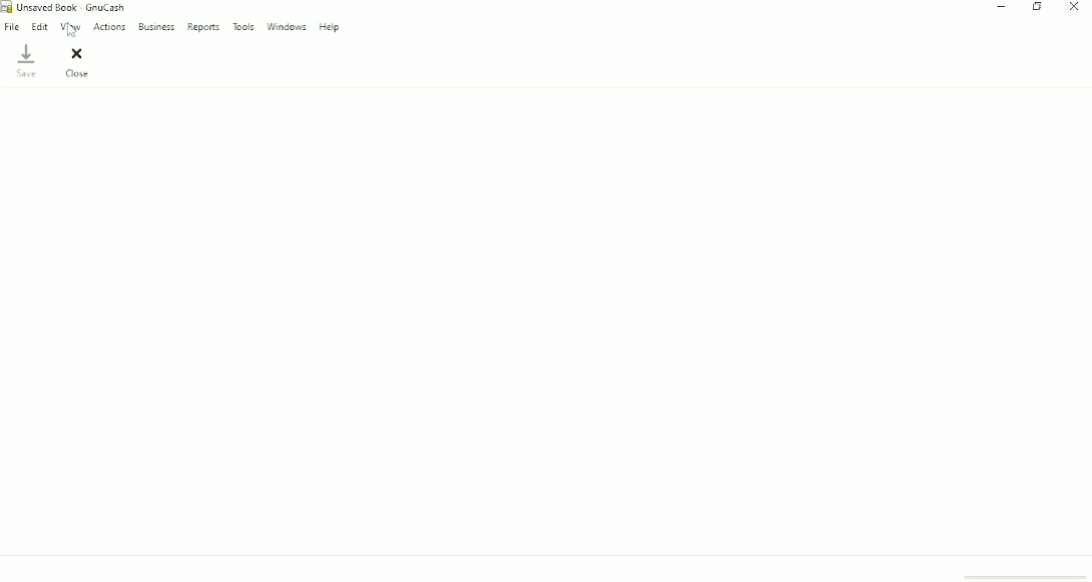  What do you see at coordinates (7, 6) in the screenshot?
I see `gnucash logo` at bounding box center [7, 6].